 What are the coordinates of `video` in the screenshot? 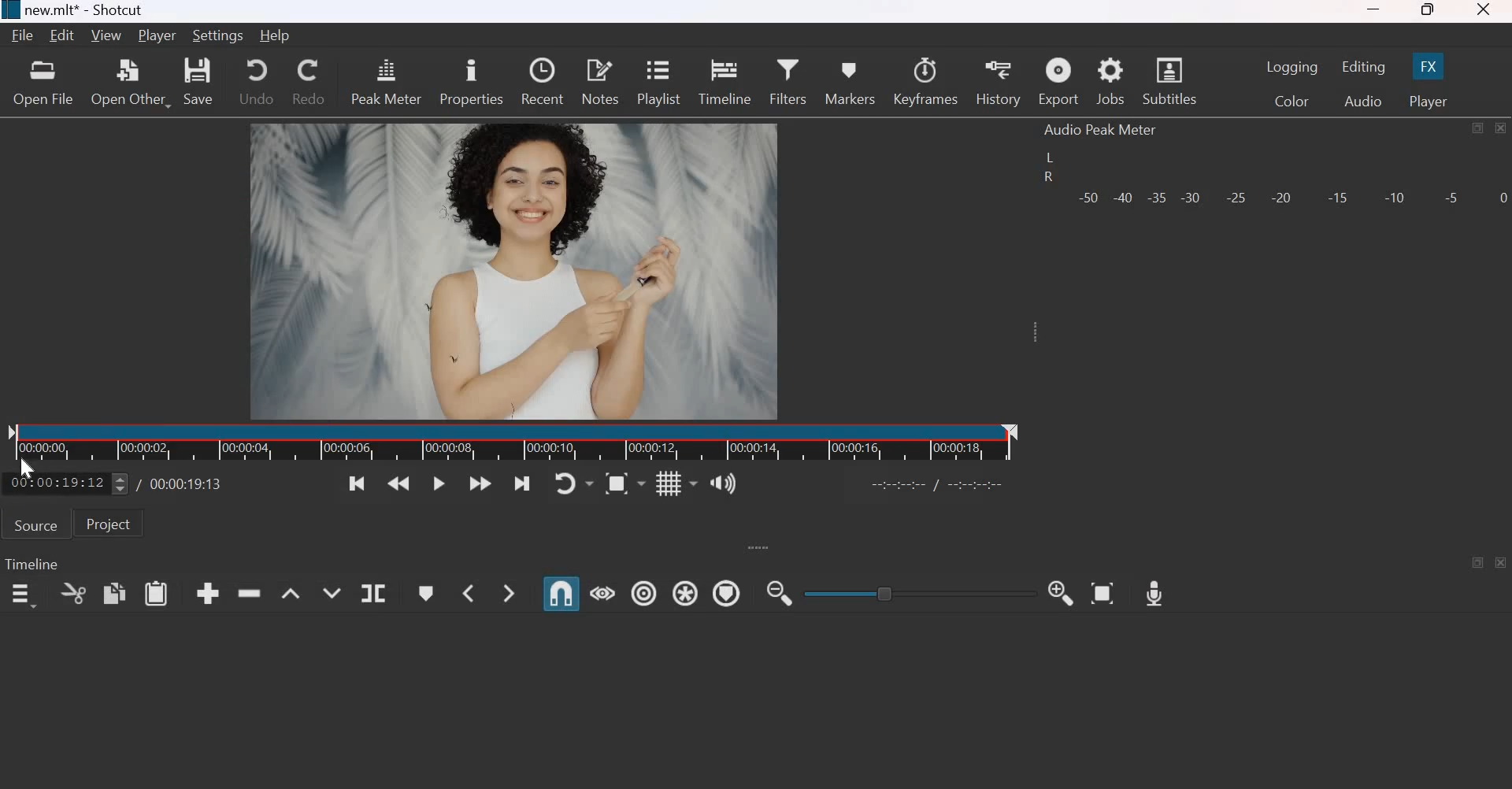 It's located at (517, 271).